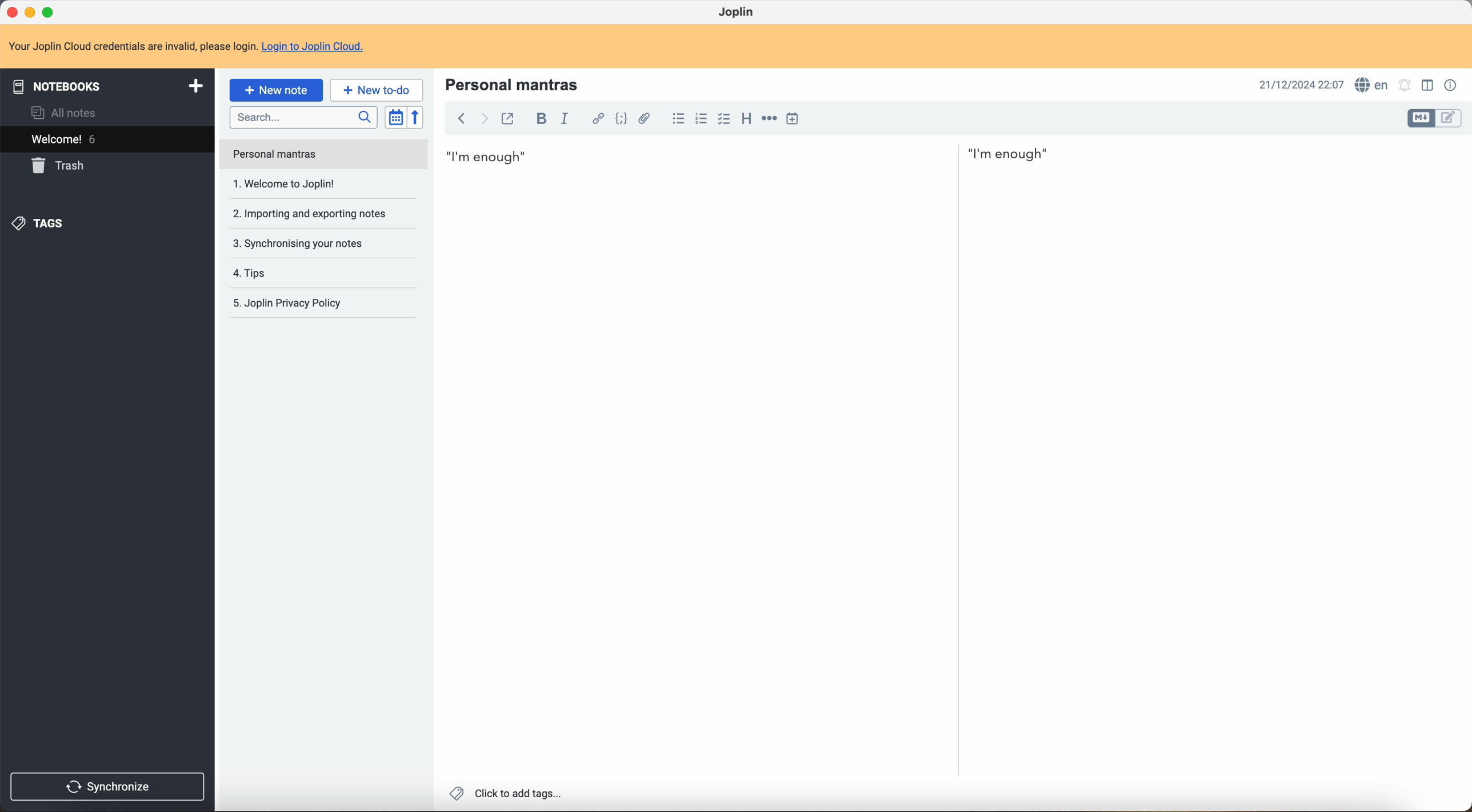 This screenshot has height=812, width=1472. I want to click on heading, so click(746, 121).